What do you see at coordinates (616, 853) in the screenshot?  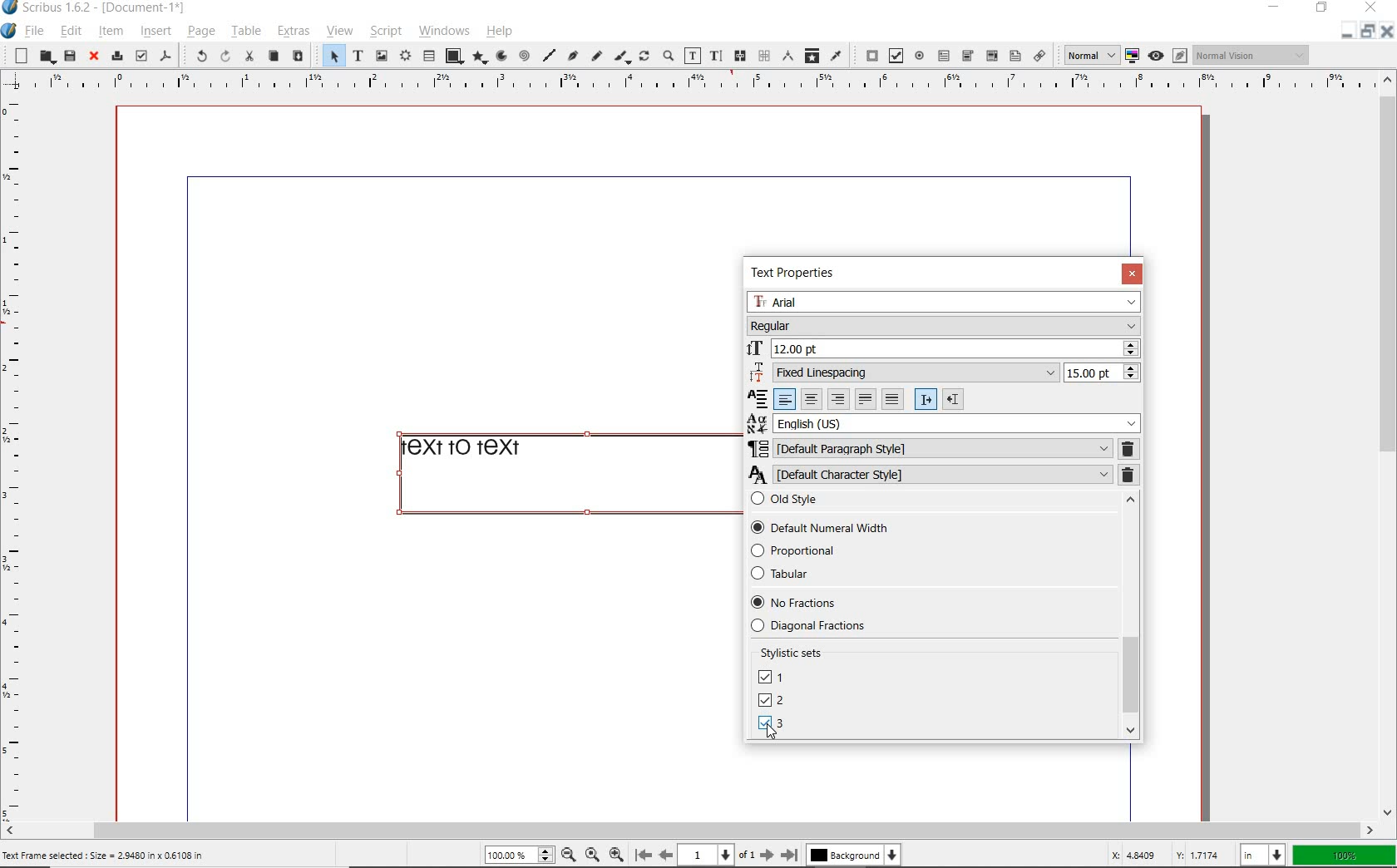 I see `Zoom in` at bounding box center [616, 853].